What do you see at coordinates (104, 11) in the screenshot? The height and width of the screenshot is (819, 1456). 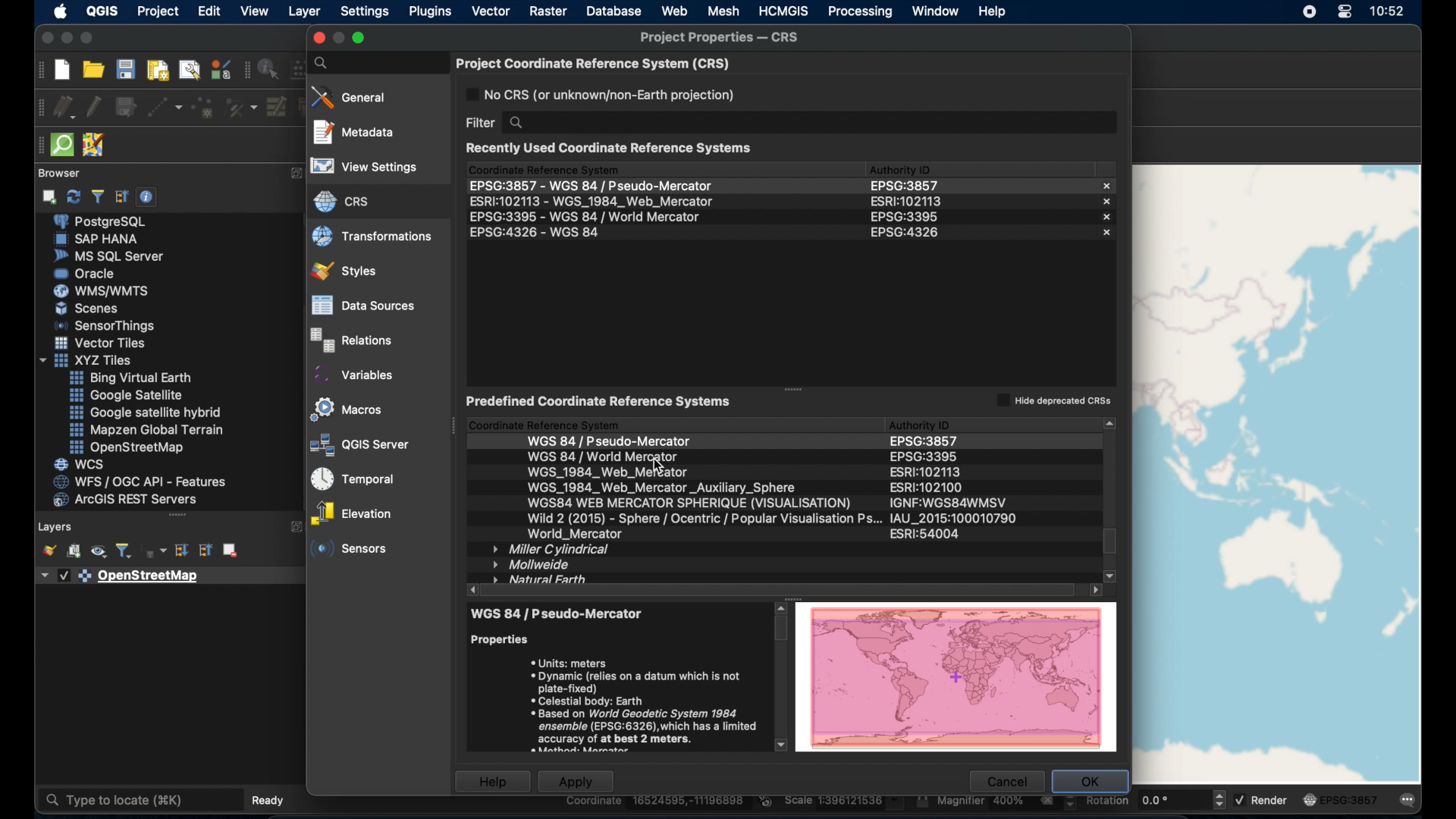 I see `QGIS` at bounding box center [104, 11].